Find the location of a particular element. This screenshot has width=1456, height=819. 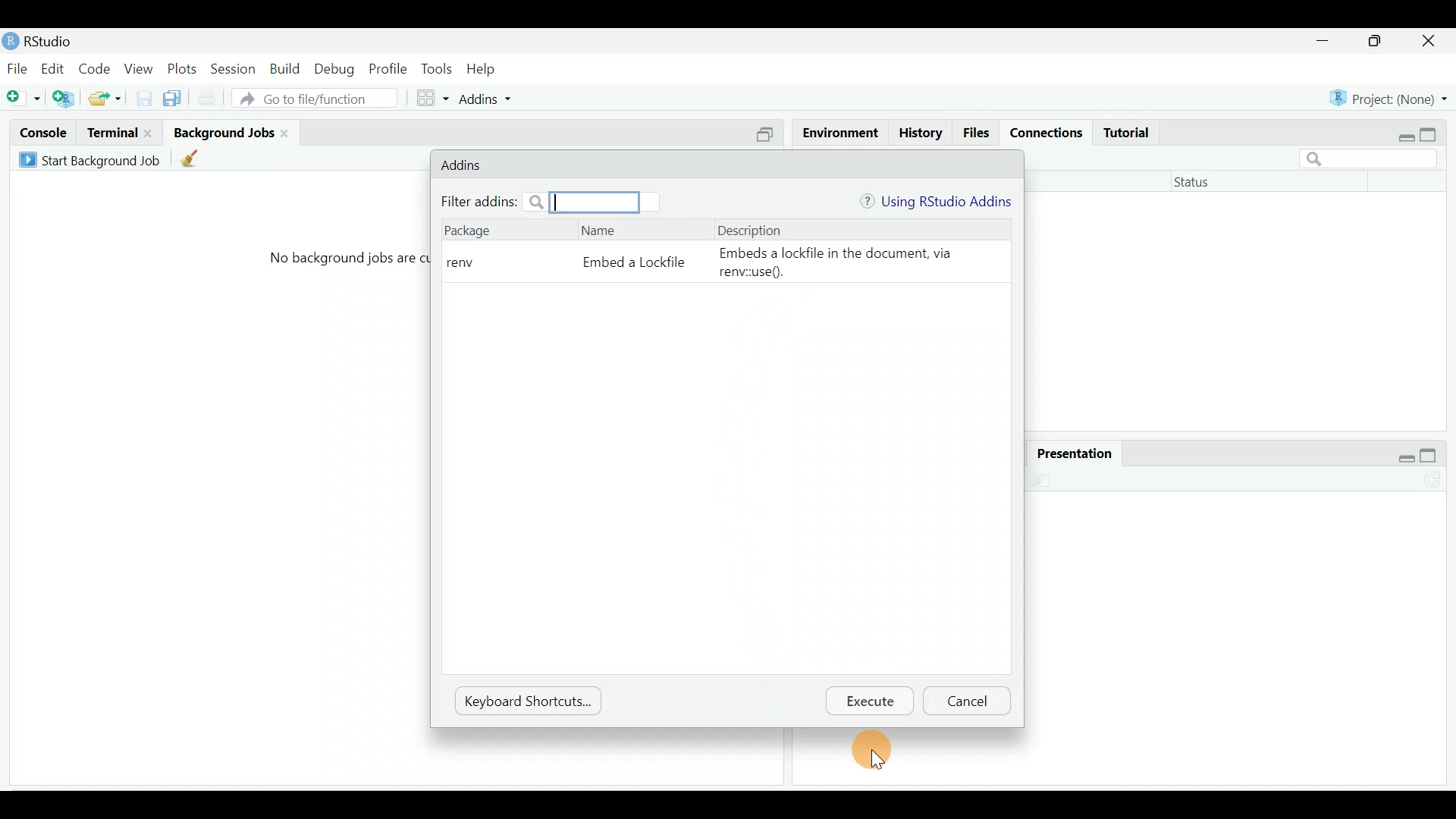

? Using RStudio Addins is located at coordinates (936, 201).